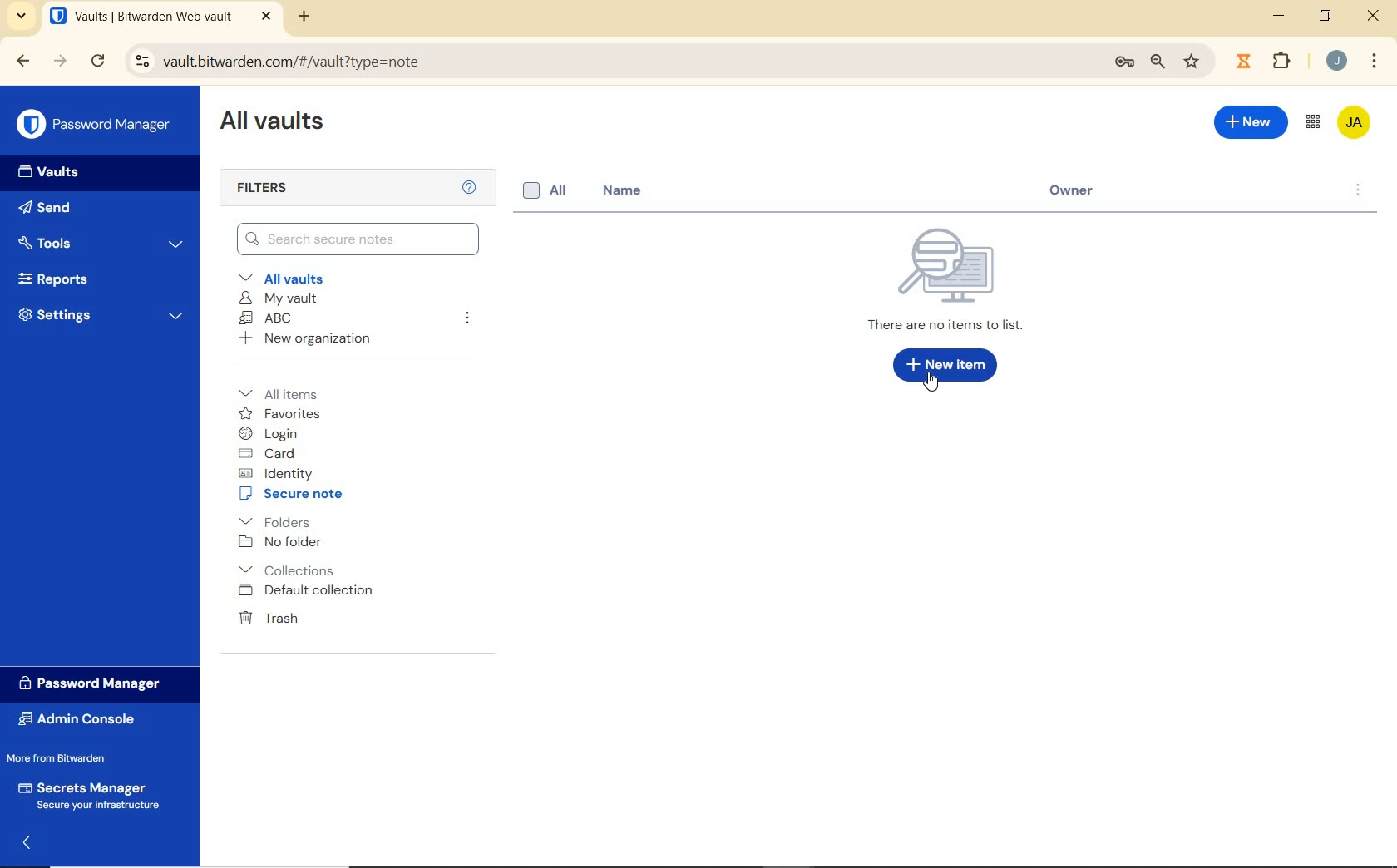 This screenshot has height=868, width=1397. I want to click on identity, so click(275, 472).